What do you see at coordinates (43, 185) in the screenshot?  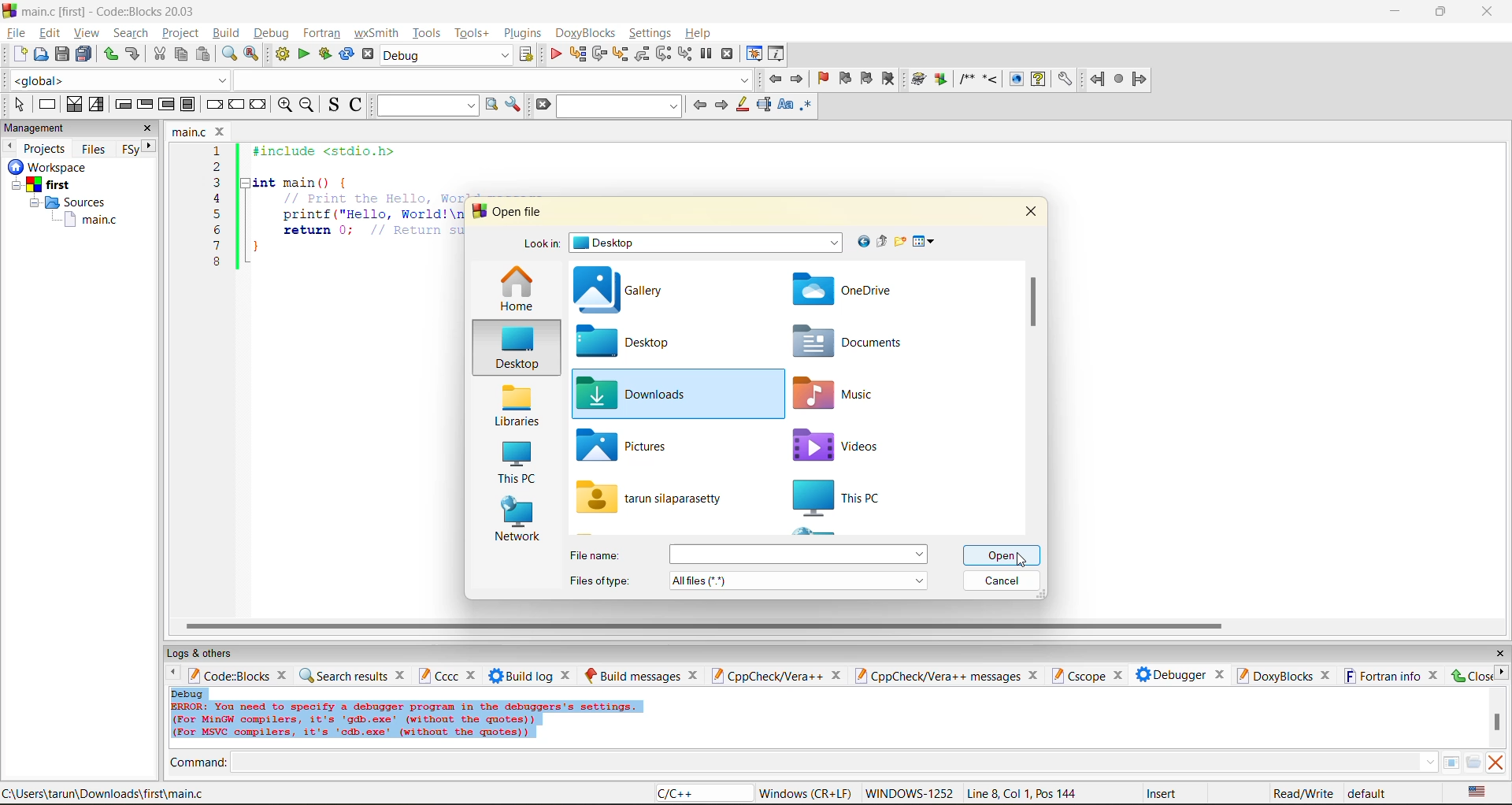 I see `first project` at bounding box center [43, 185].